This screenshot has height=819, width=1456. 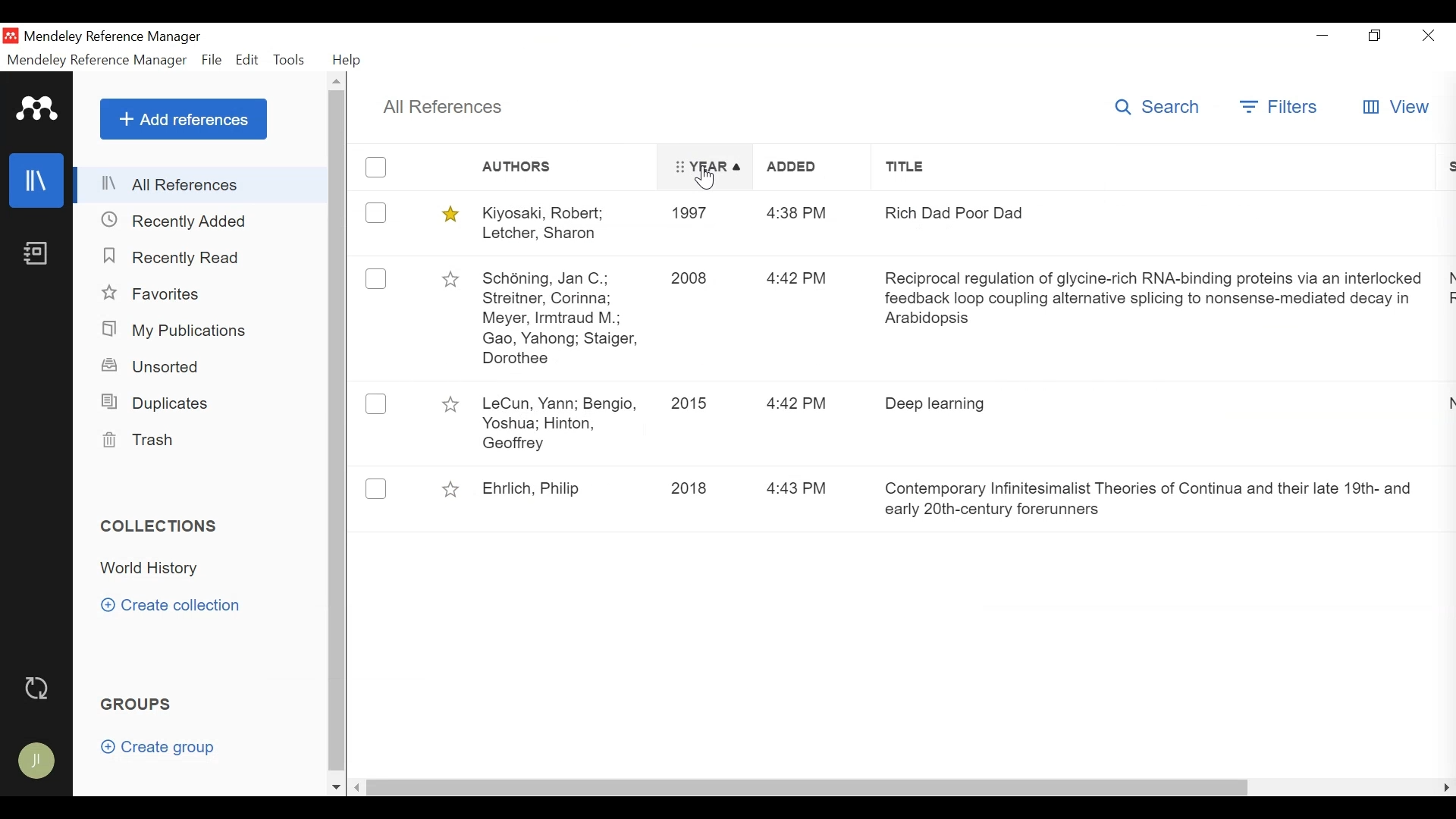 What do you see at coordinates (1161, 167) in the screenshot?
I see `Title` at bounding box center [1161, 167].